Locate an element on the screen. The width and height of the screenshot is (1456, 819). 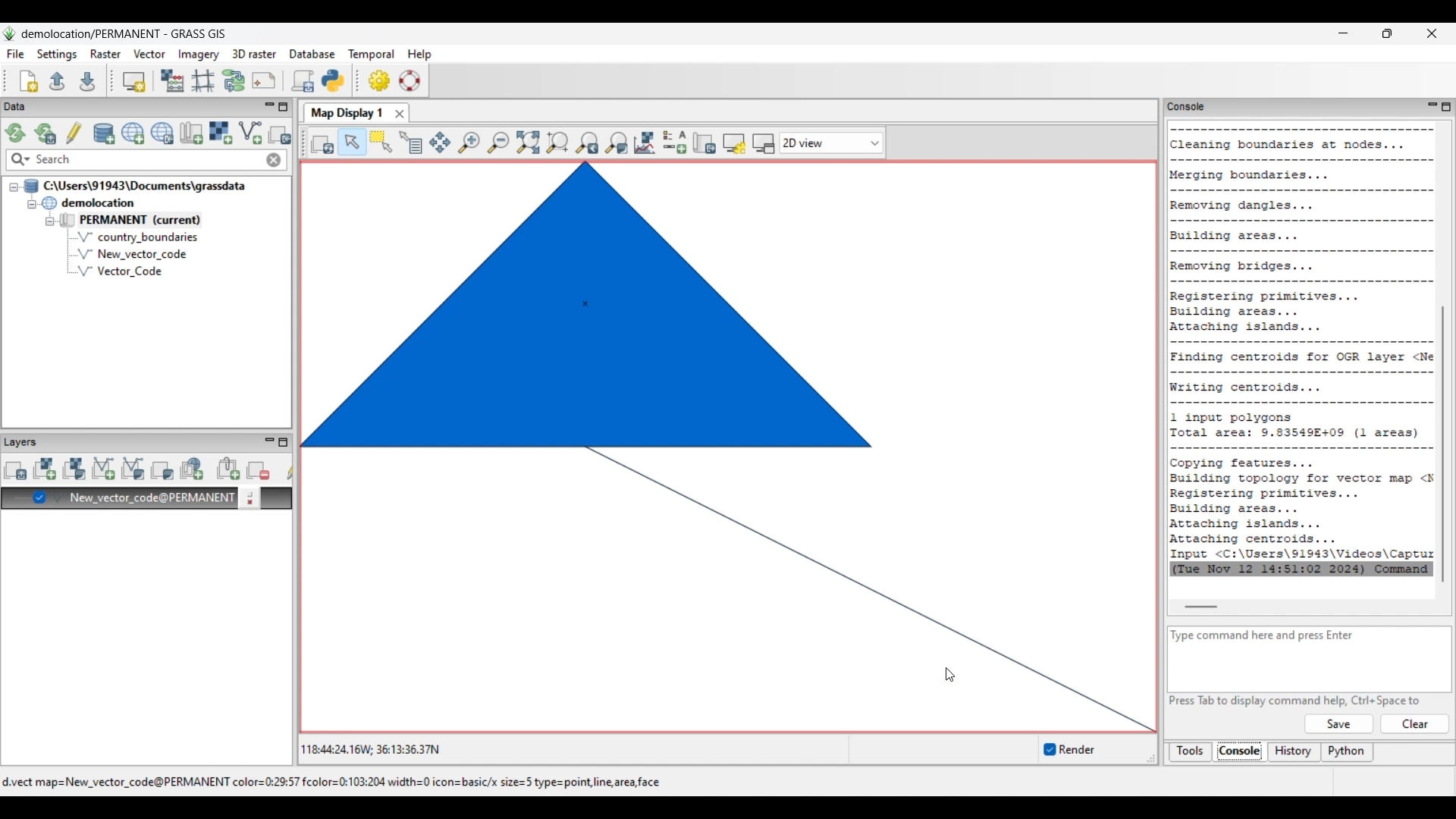
Render map is located at coordinates (323, 143).